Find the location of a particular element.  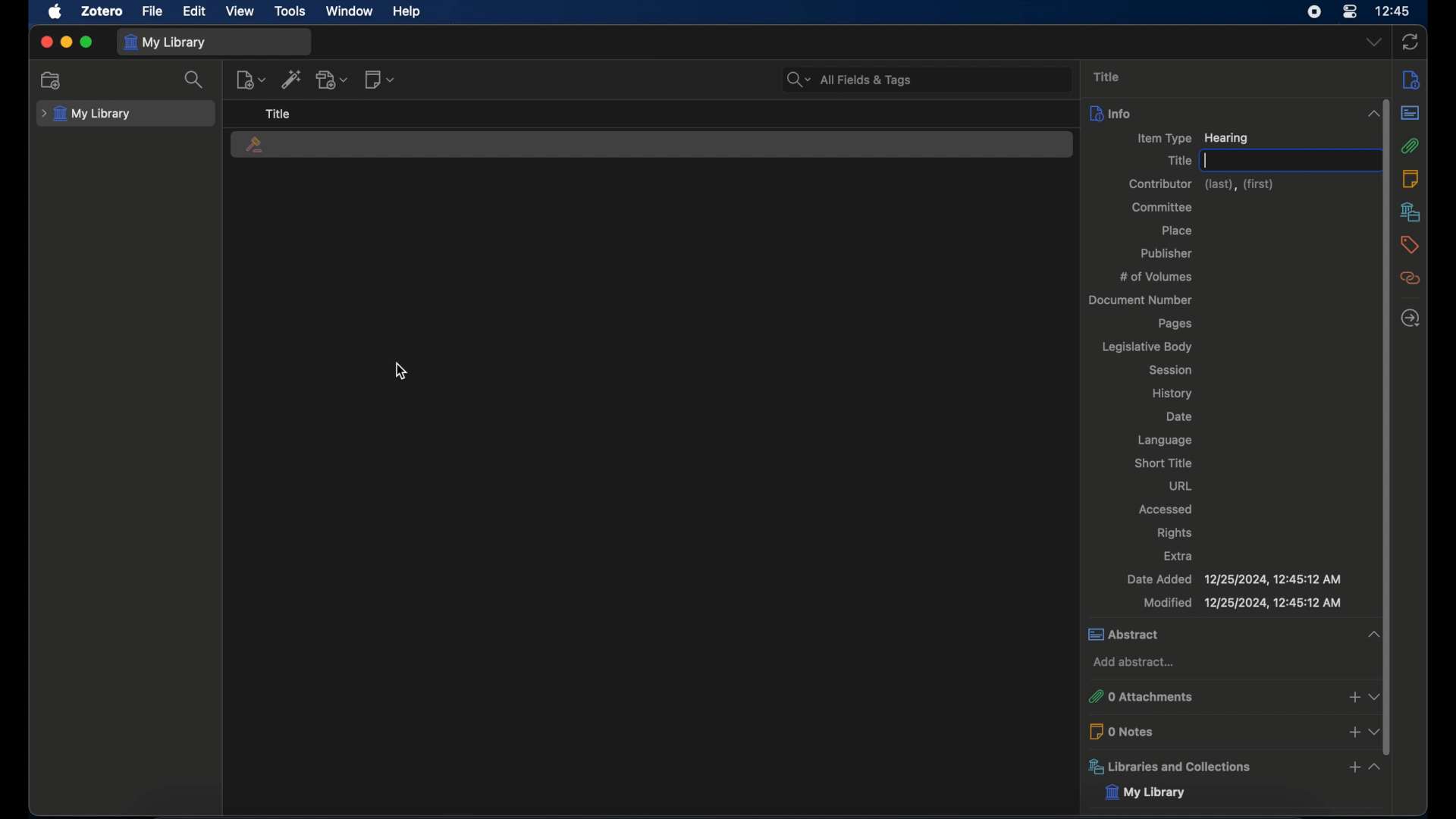

title is located at coordinates (1178, 160).